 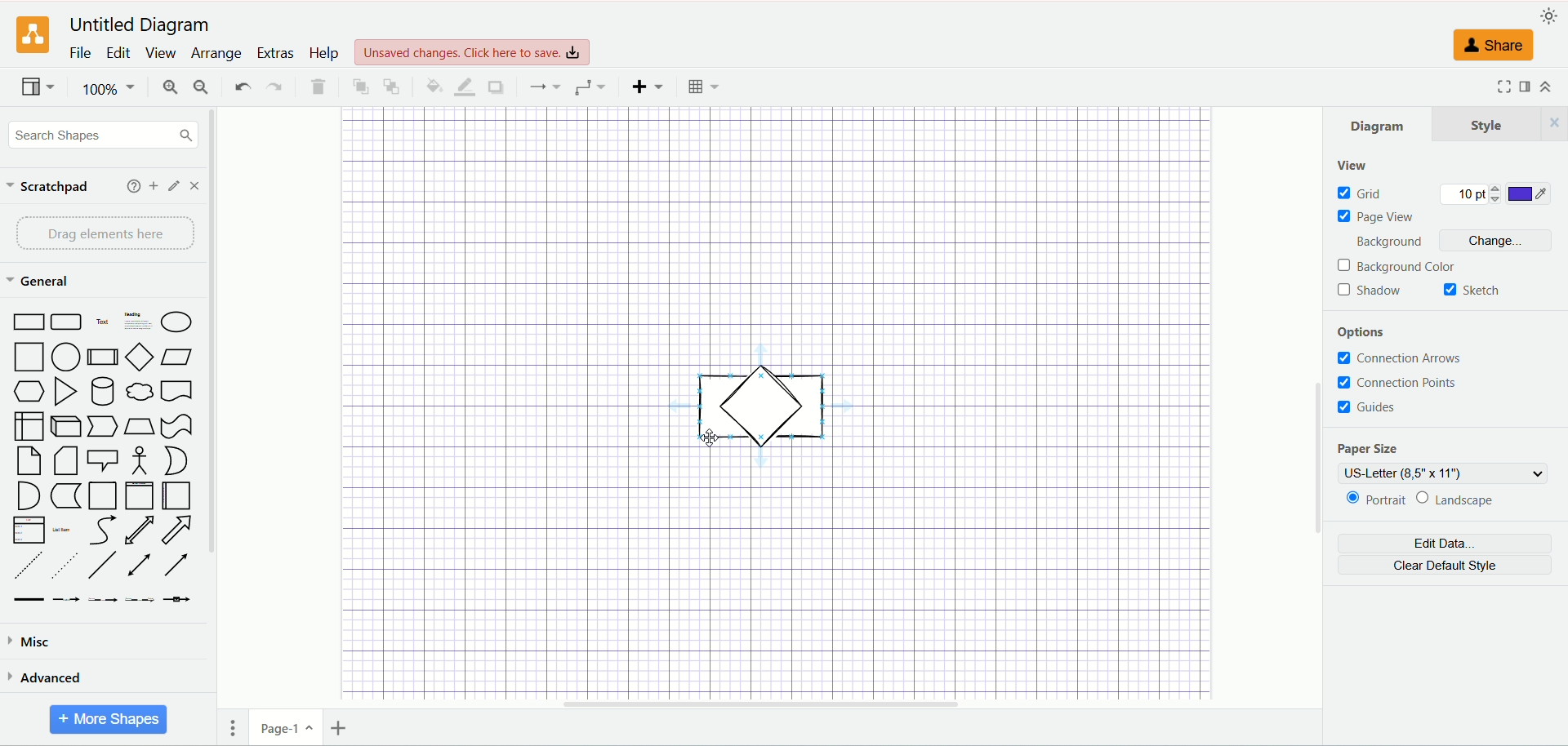 What do you see at coordinates (180, 530) in the screenshot?
I see `arrow` at bounding box center [180, 530].